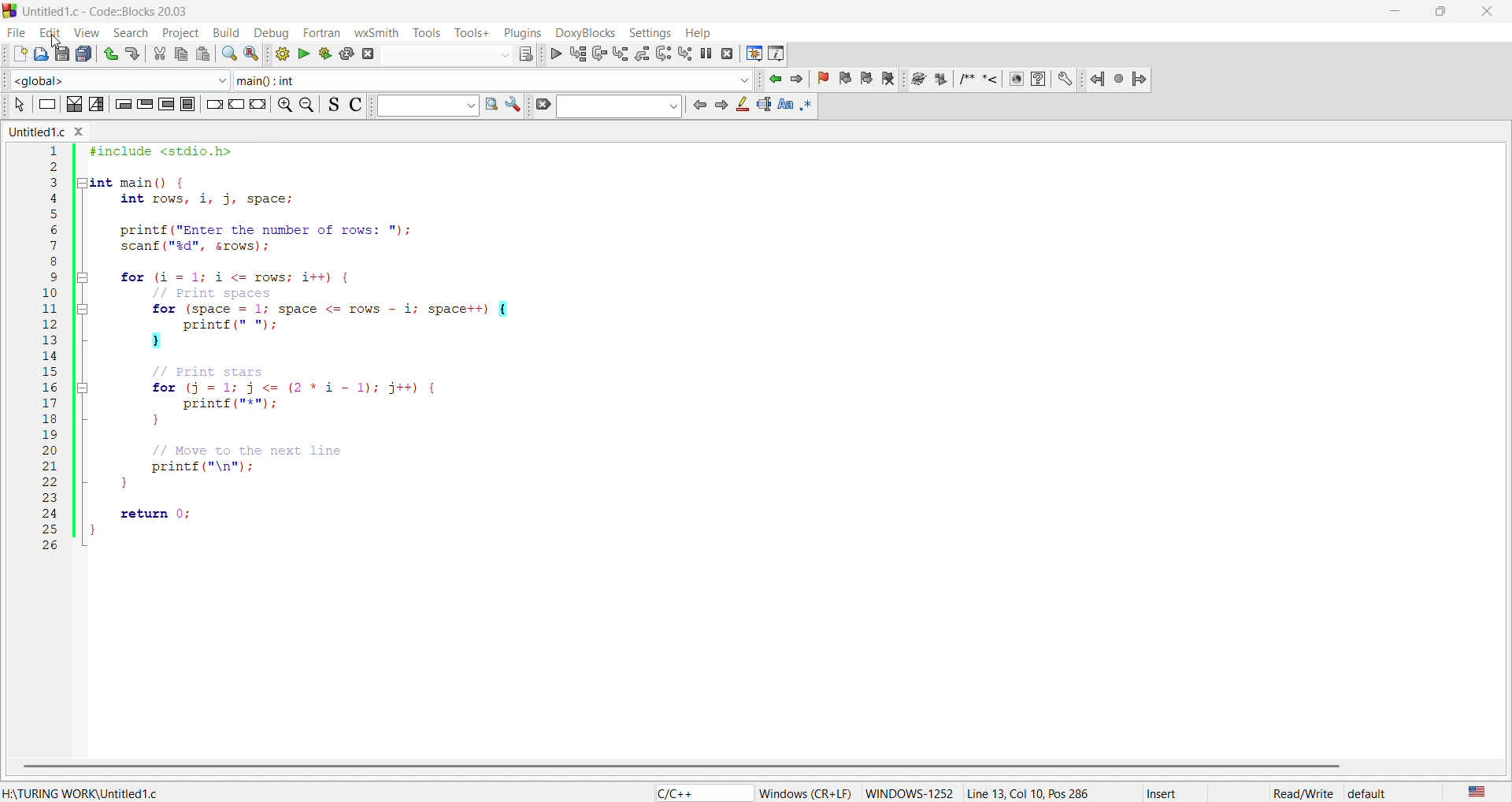 The image size is (1512, 802). I want to click on insert line, so click(990, 81).